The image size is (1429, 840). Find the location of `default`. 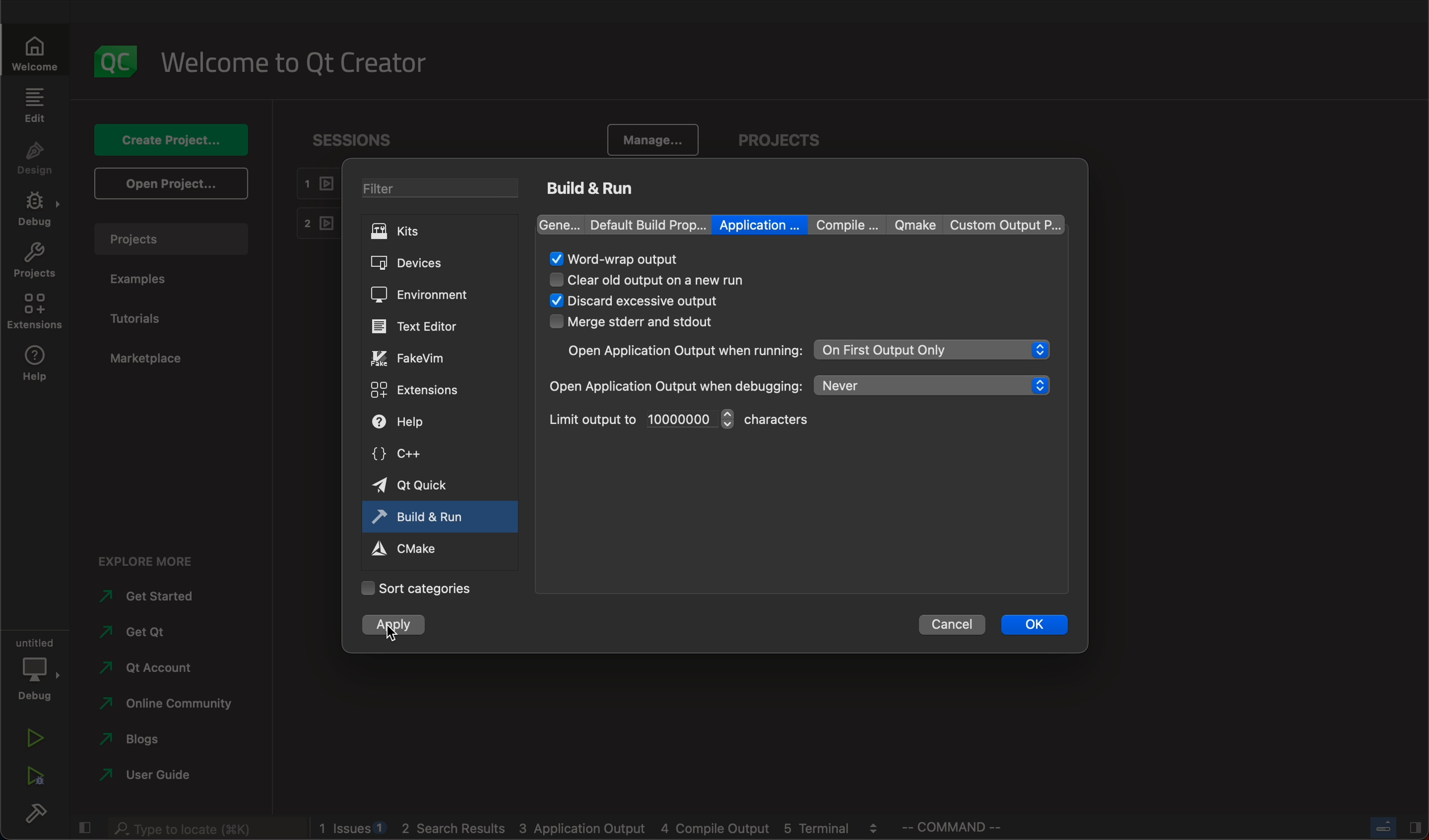

default is located at coordinates (649, 223).